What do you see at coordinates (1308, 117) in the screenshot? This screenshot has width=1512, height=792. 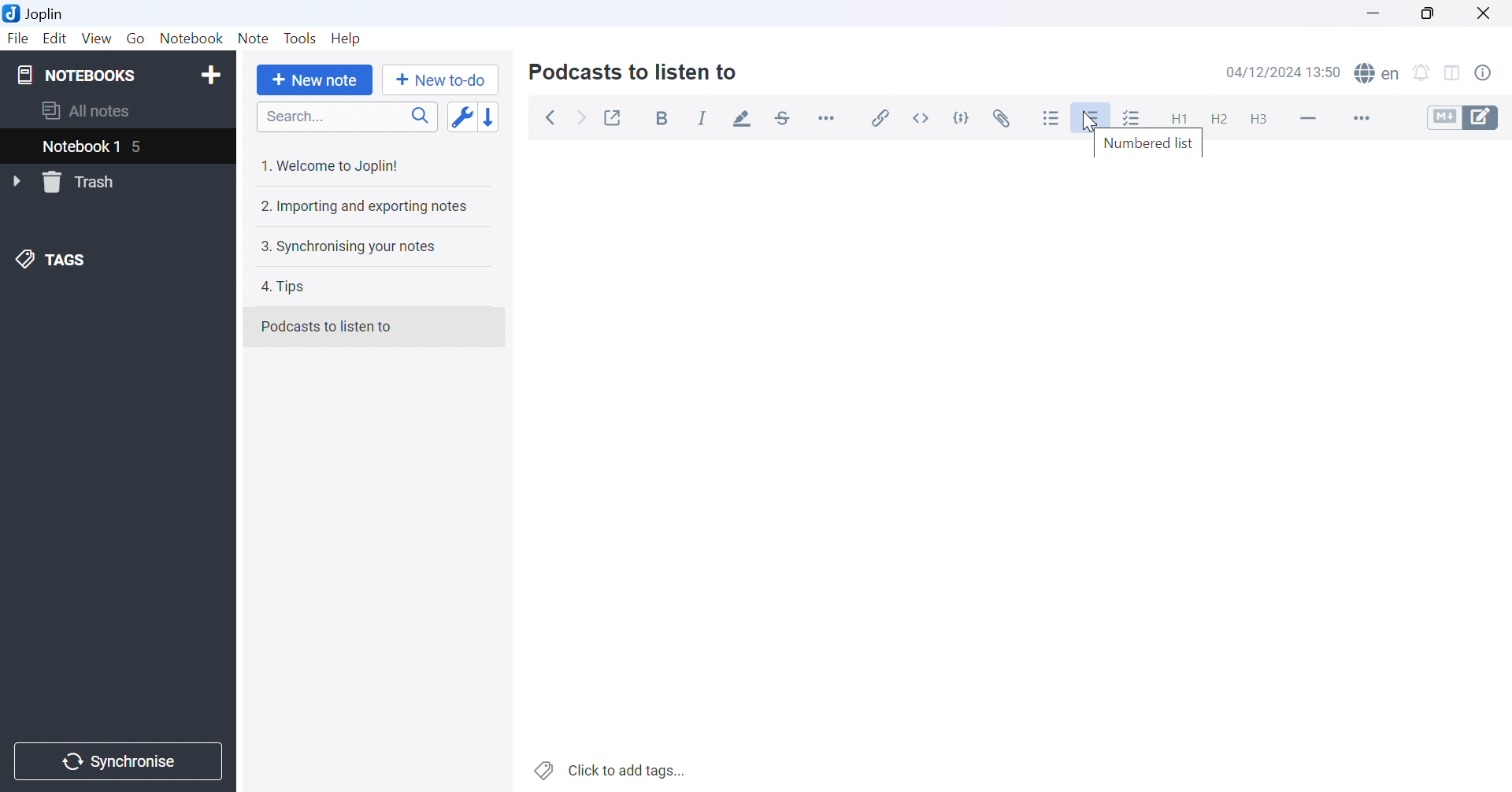 I see `Horizontal lines` at bounding box center [1308, 117].